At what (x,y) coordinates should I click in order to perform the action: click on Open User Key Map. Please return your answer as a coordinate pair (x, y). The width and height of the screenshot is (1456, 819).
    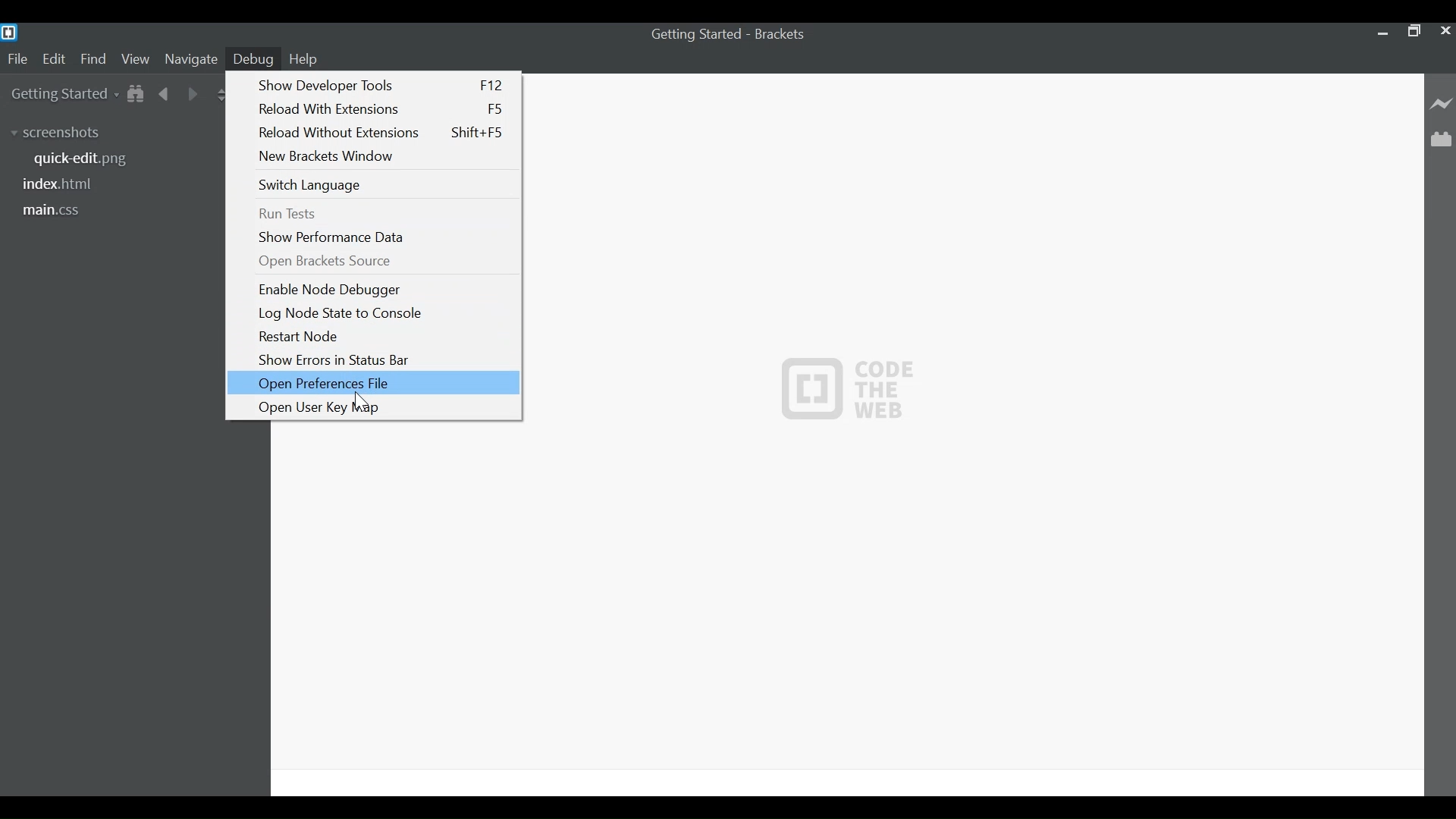
    Looking at the image, I should click on (329, 408).